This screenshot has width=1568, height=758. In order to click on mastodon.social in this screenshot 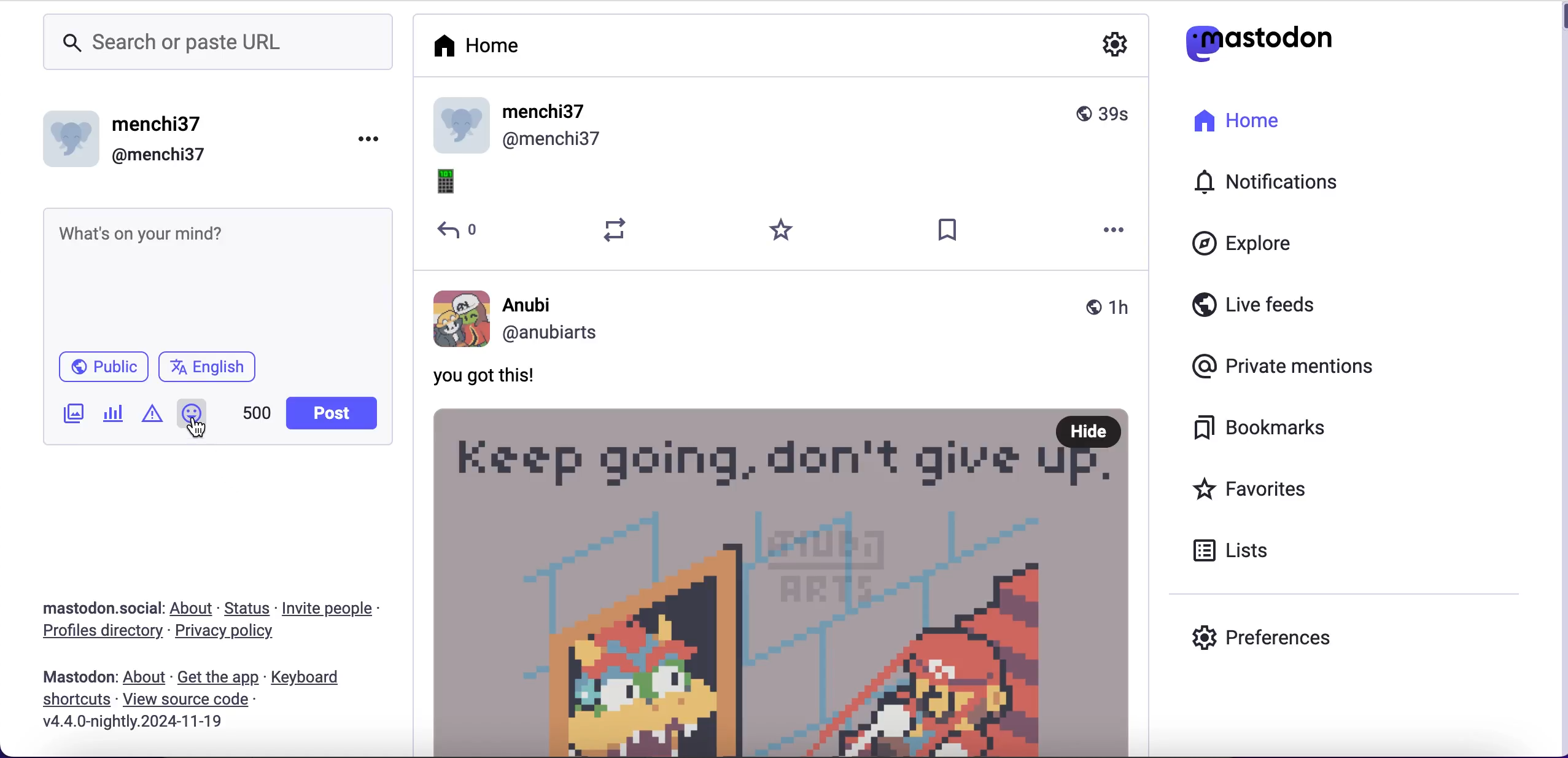, I will do `click(100, 609)`.